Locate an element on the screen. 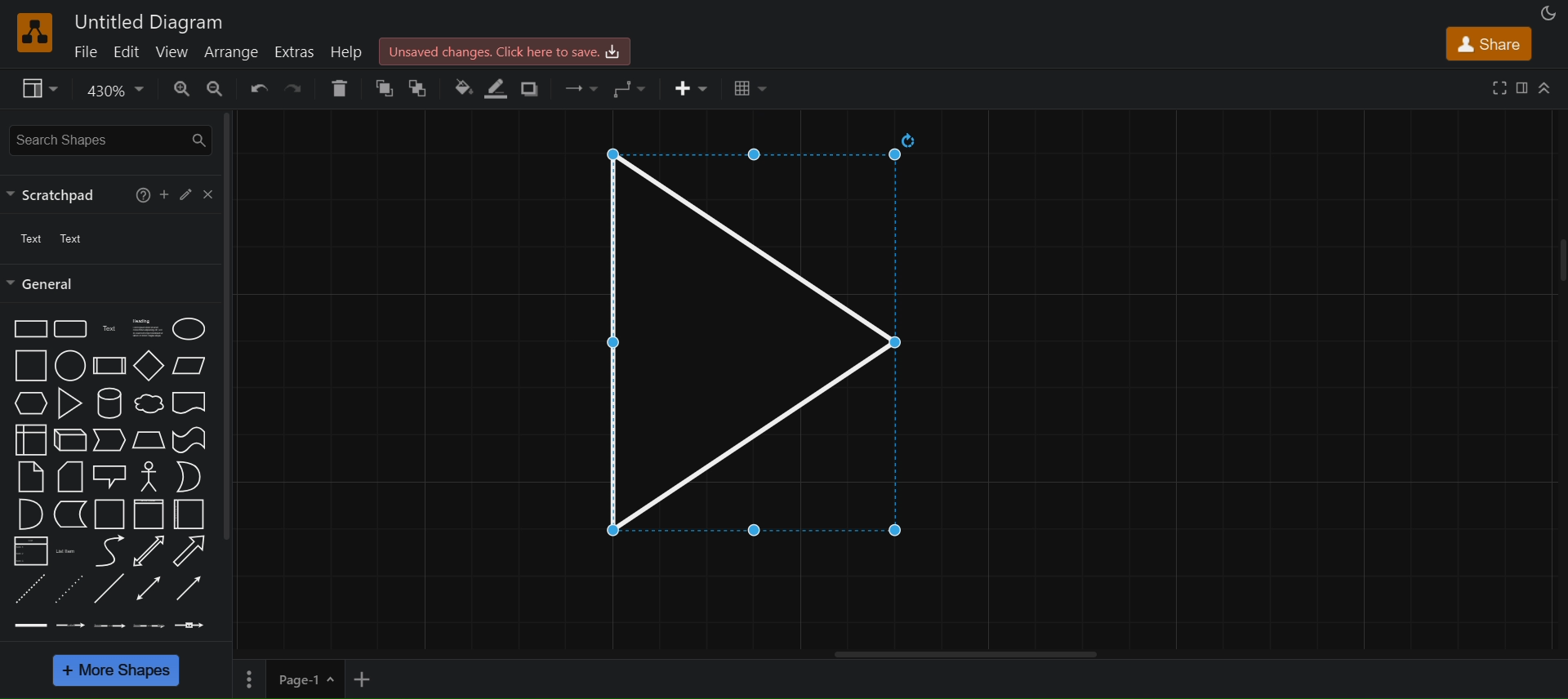 Image resolution: width=1568 pixels, height=699 pixels. logo is located at coordinates (33, 33).